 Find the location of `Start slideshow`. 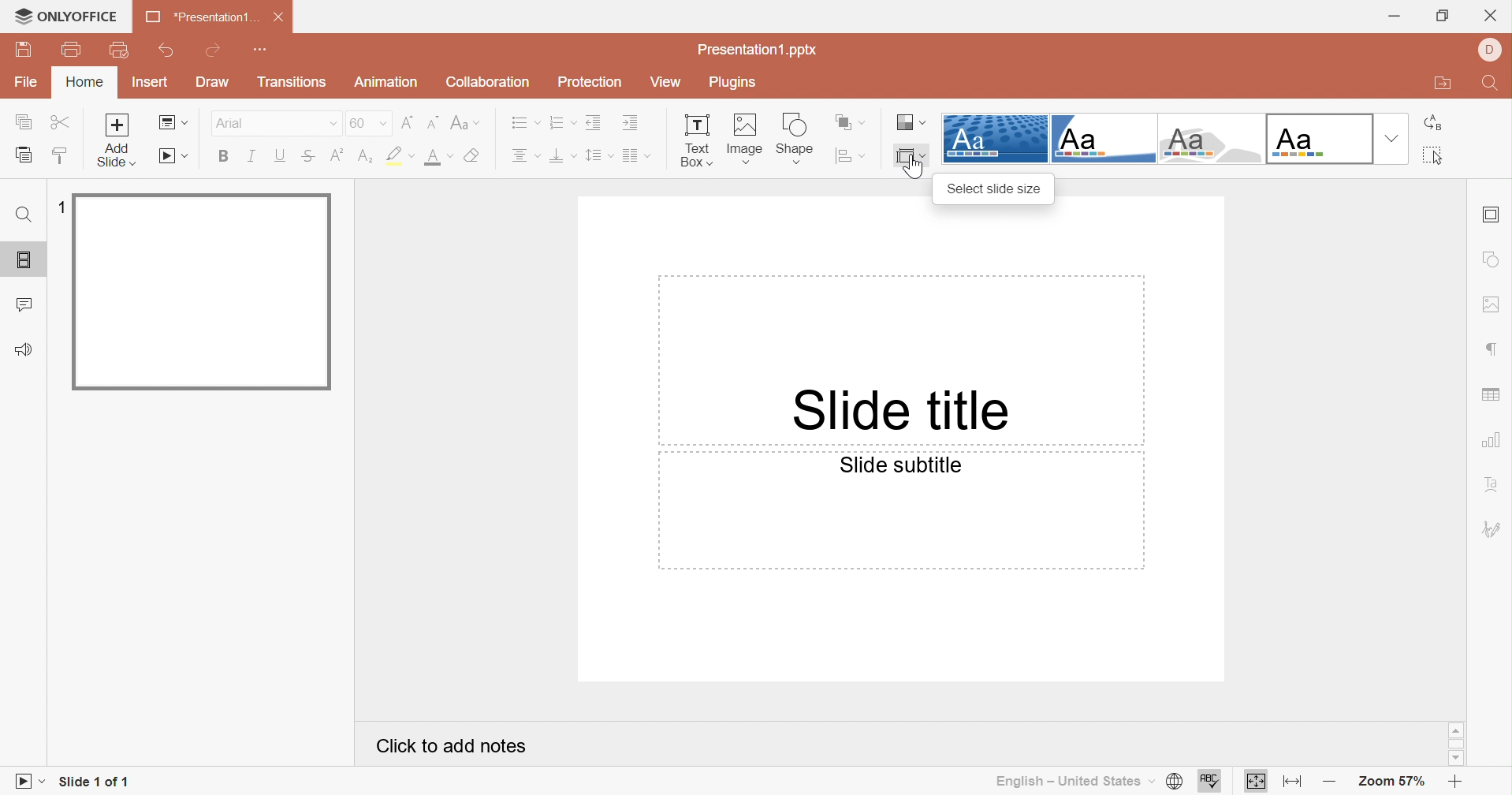

Start slideshow is located at coordinates (25, 782).